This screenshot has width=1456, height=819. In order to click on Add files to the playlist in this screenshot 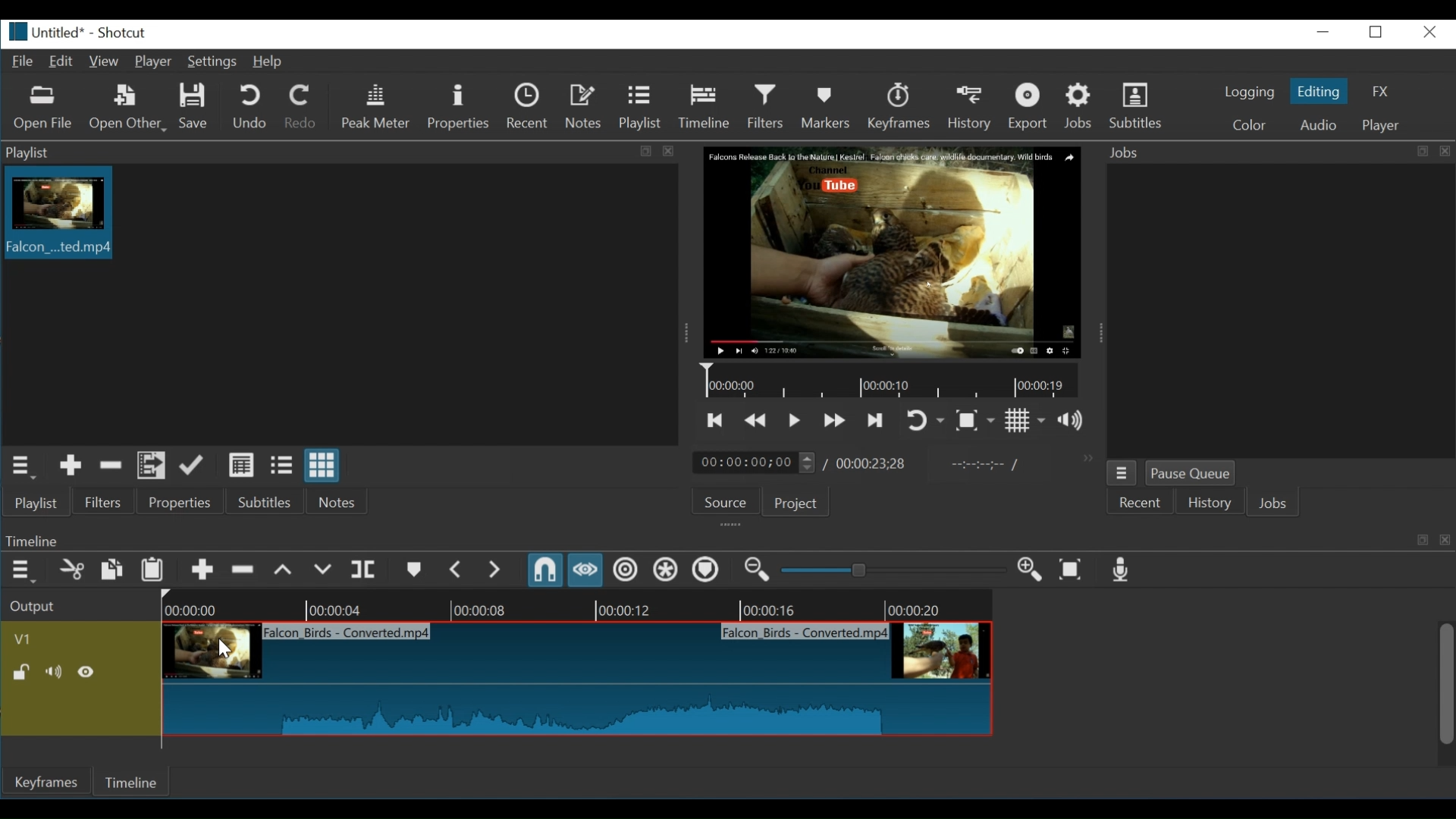, I will do `click(149, 466)`.